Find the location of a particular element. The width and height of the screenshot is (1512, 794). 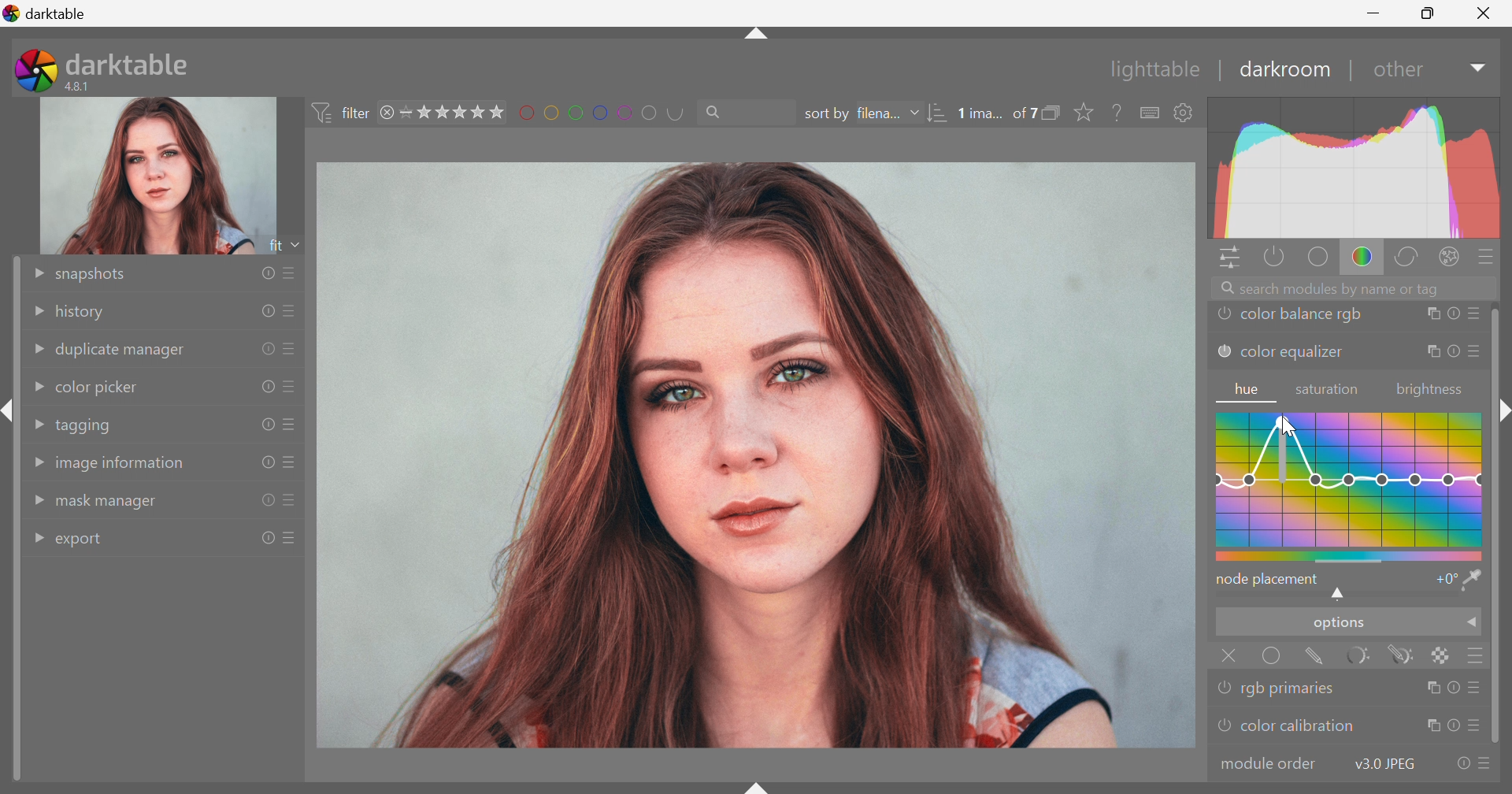

modular order is located at coordinates (1269, 762).